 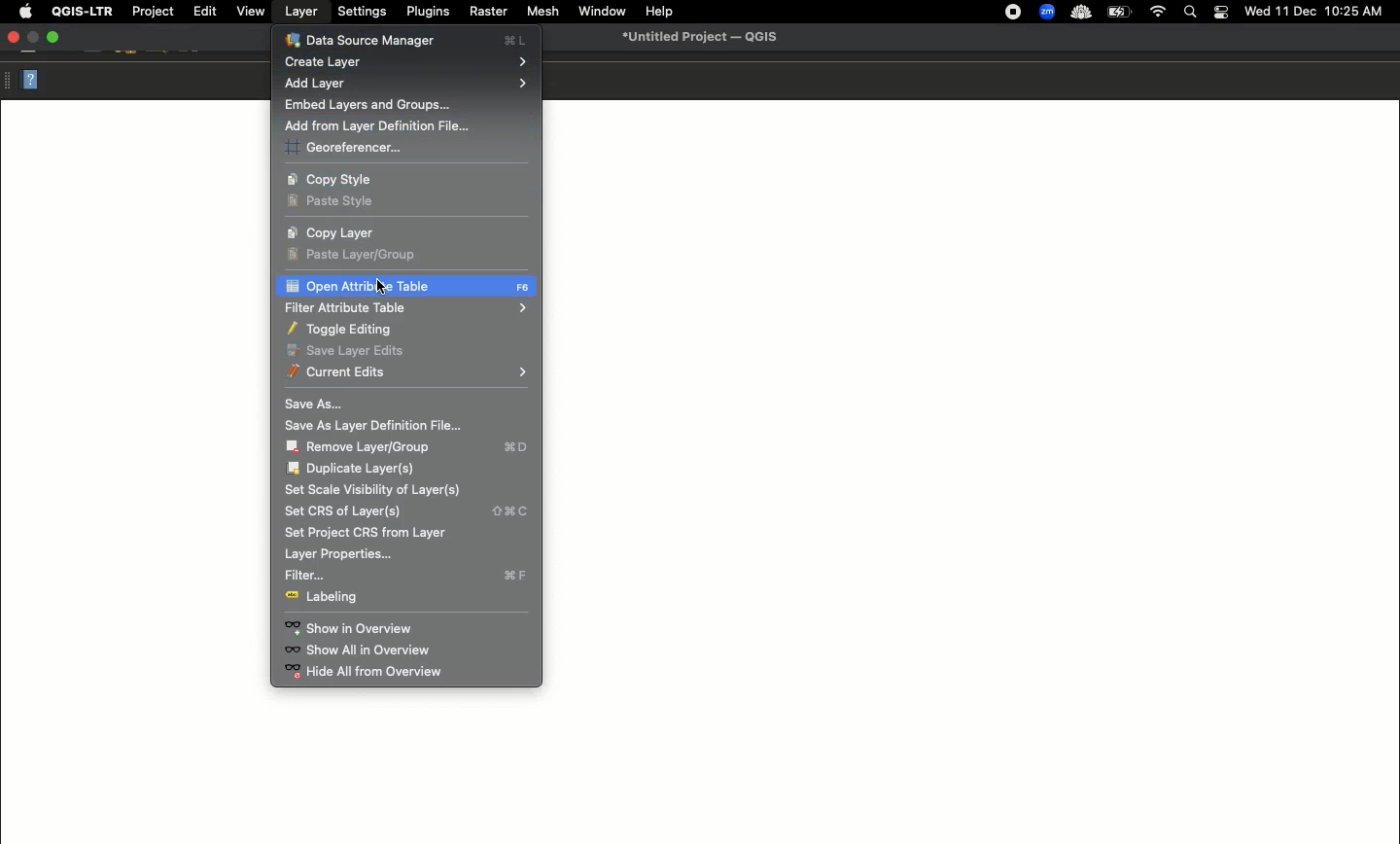 I want to click on Current edits, so click(x=406, y=372).